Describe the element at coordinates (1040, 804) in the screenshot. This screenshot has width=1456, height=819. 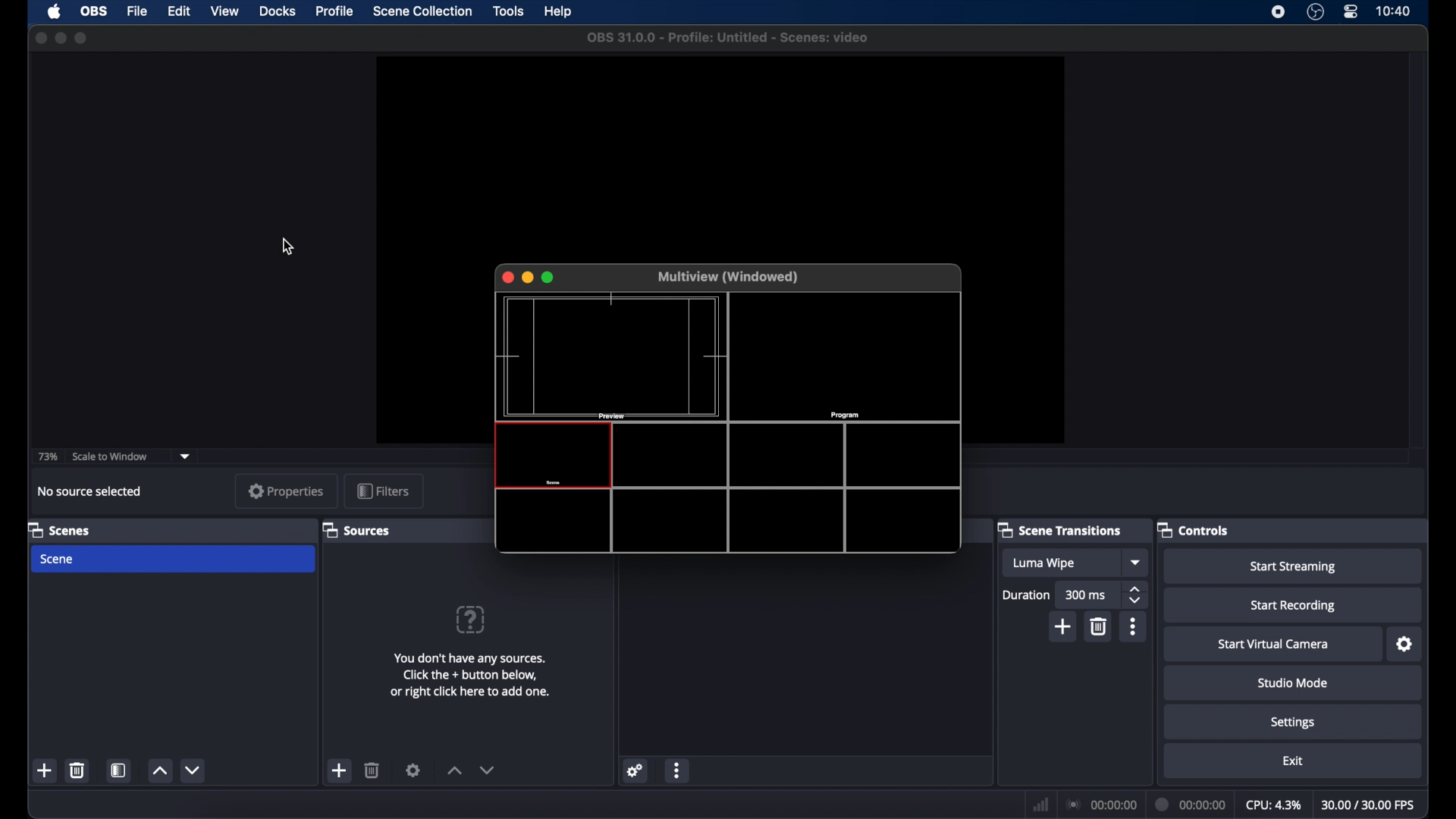
I see `network` at that location.